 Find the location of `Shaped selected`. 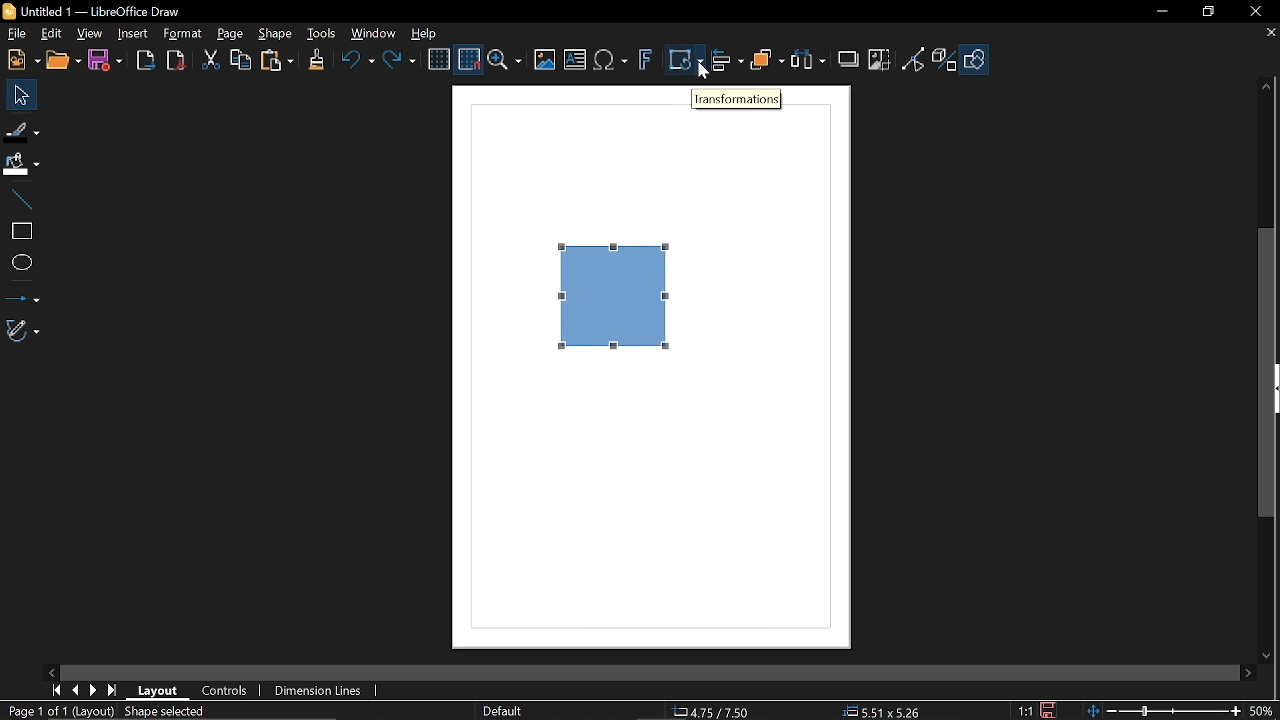

Shaped selected is located at coordinates (169, 711).